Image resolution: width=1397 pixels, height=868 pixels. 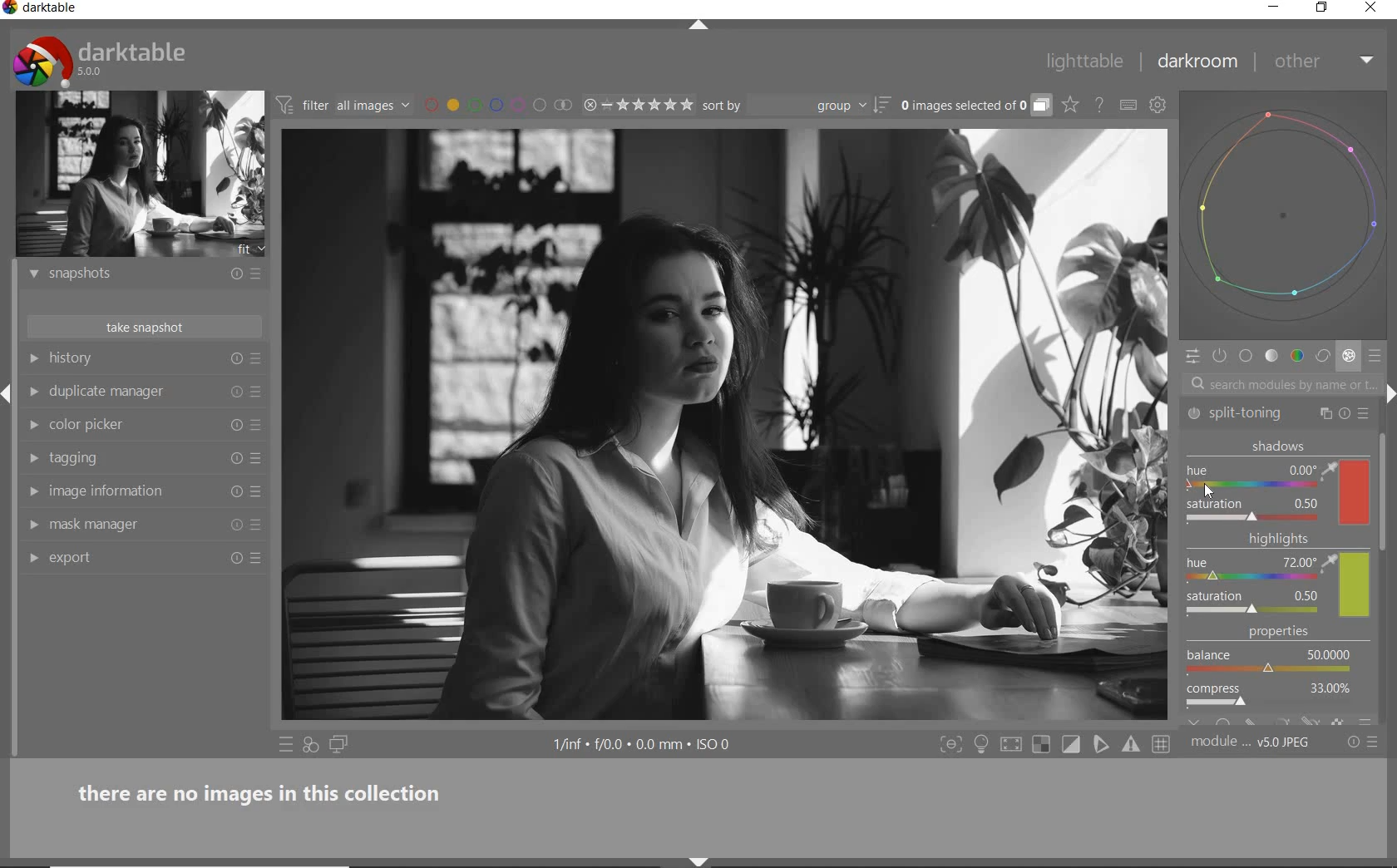 I want to click on open online help, so click(x=1099, y=104).